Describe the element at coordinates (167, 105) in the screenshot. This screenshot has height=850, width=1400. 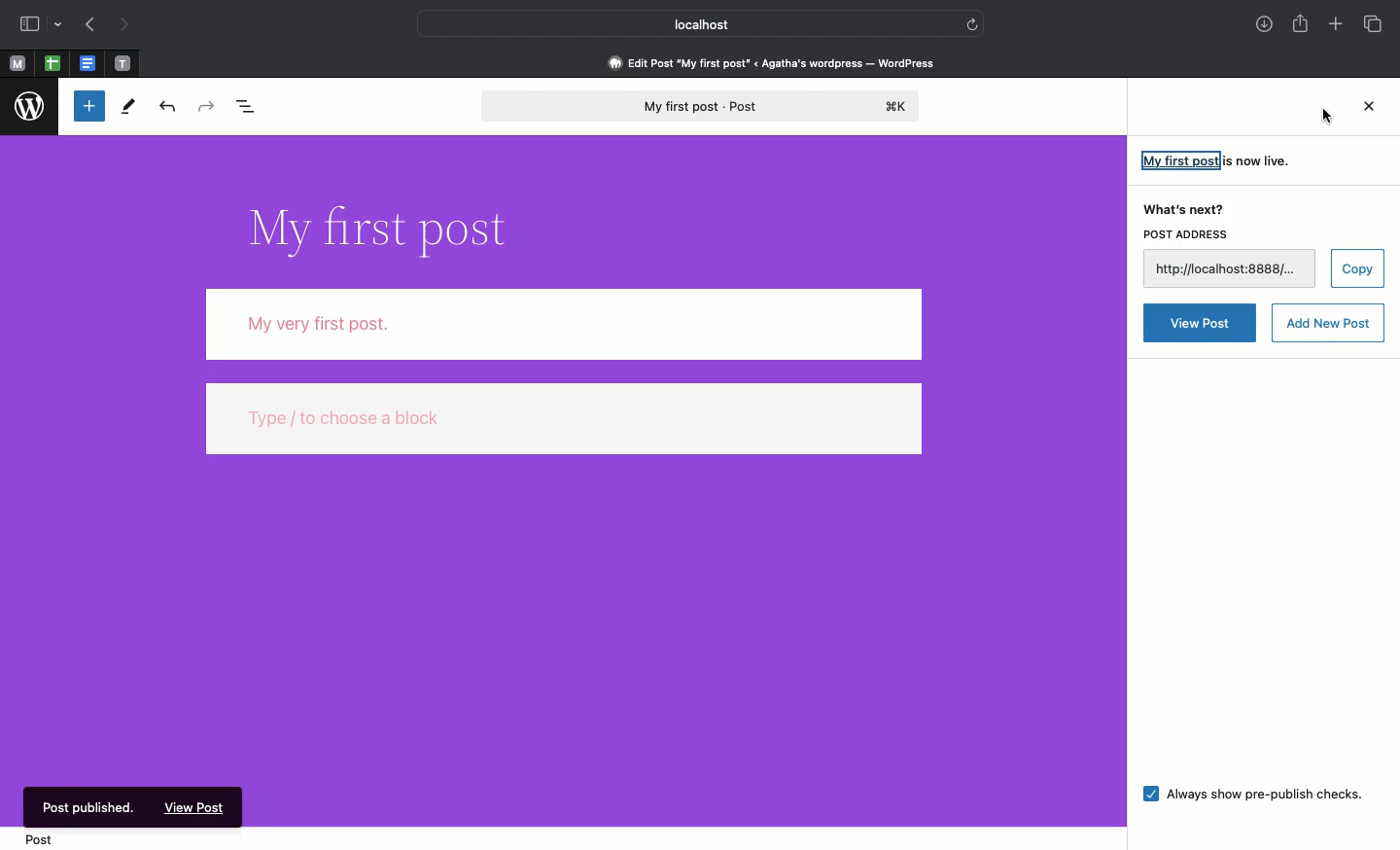
I see `Undo` at that location.